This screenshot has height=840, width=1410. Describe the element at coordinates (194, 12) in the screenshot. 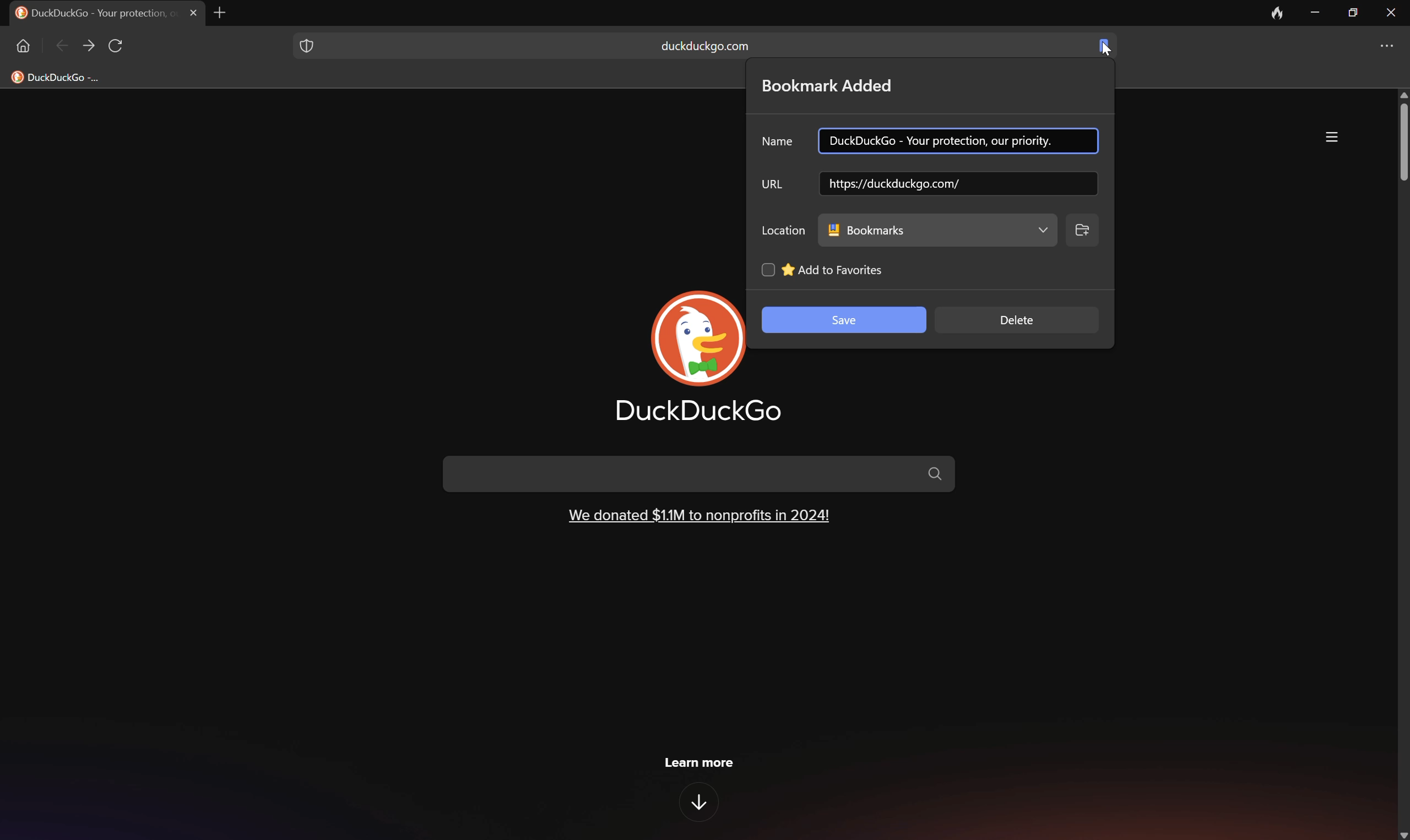

I see `Close` at that location.